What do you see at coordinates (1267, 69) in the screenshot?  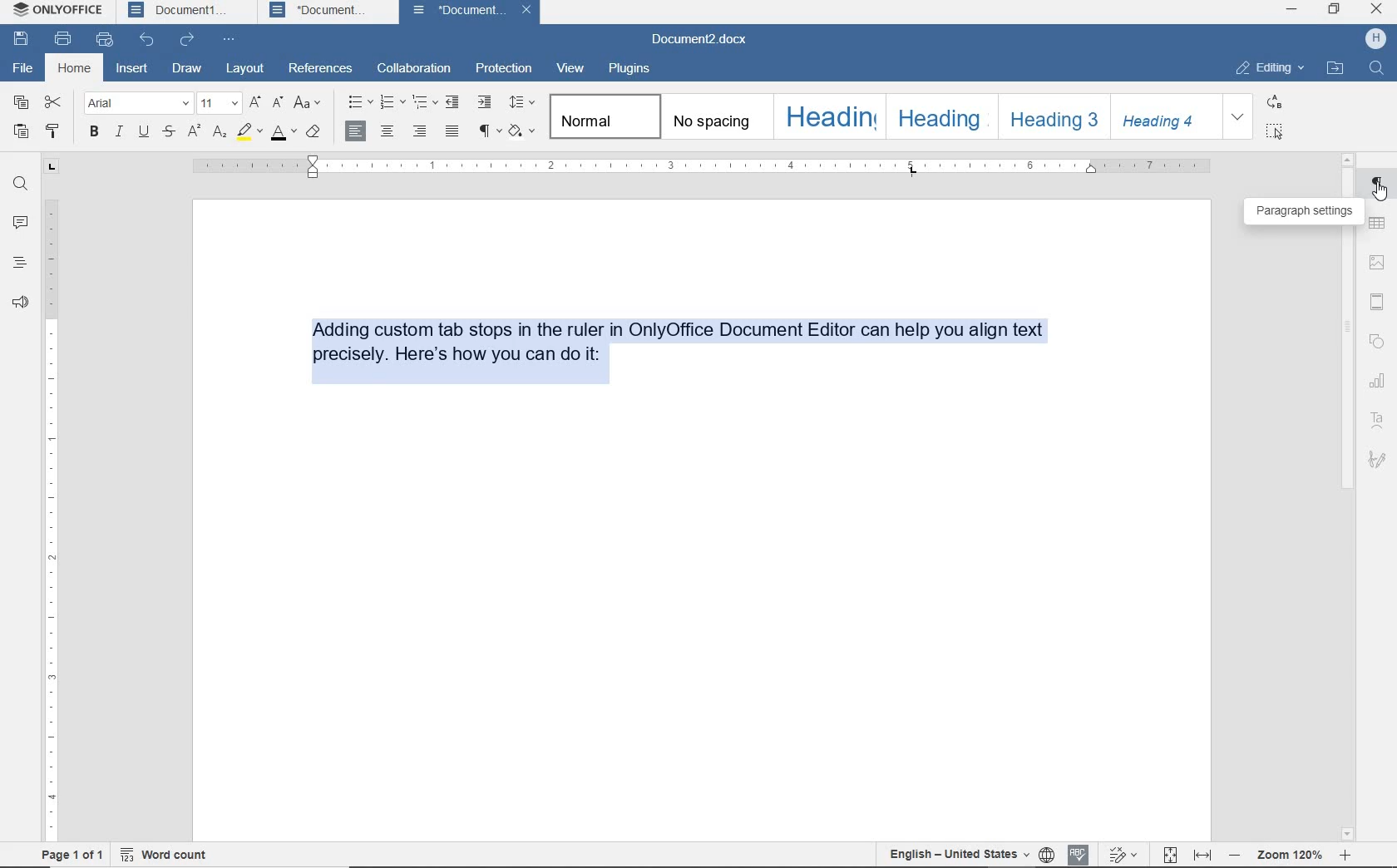 I see `editing` at bounding box center [1267, 69].